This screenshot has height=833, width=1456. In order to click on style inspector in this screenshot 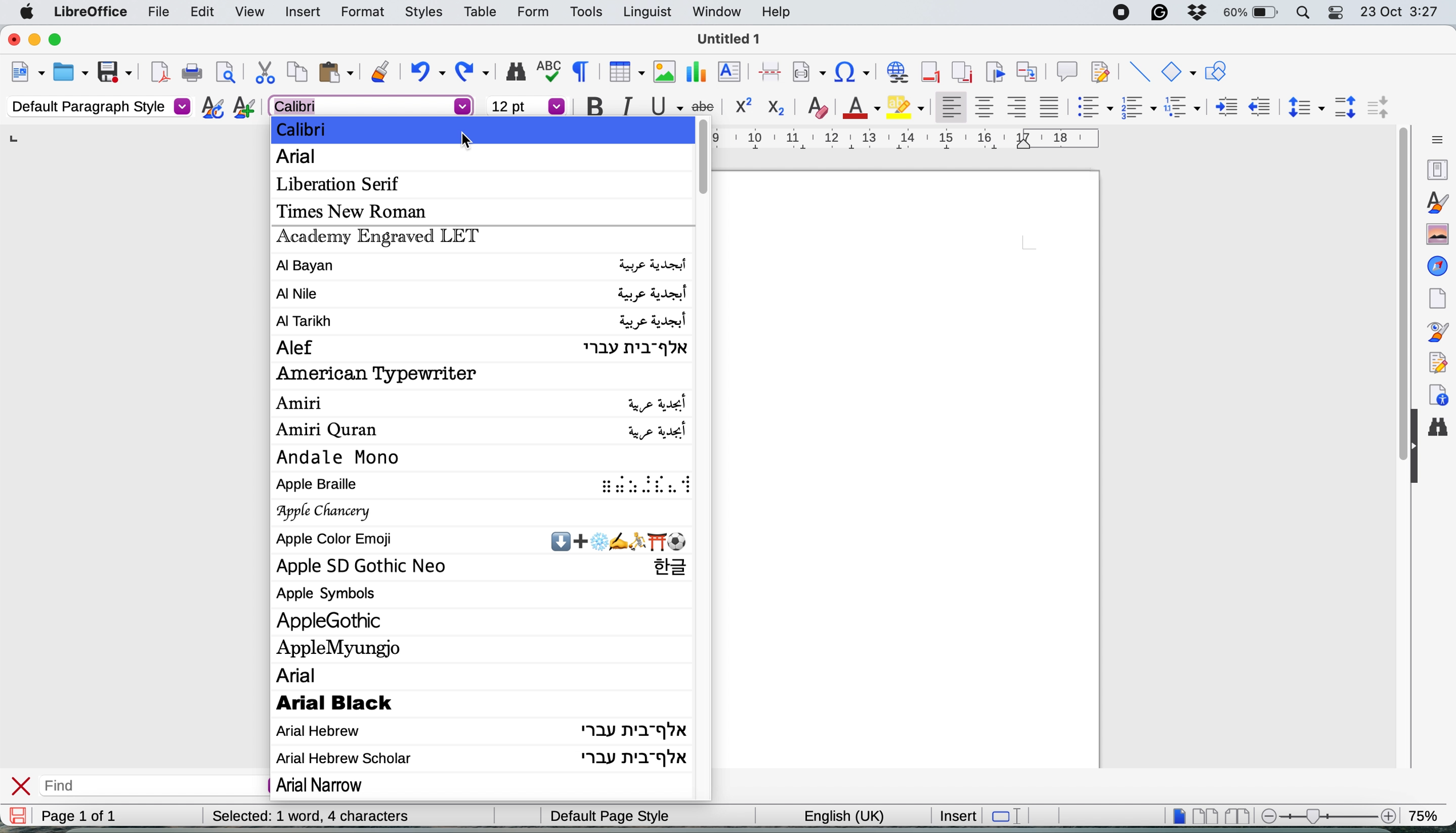, I will do `click(1441, 332)`.